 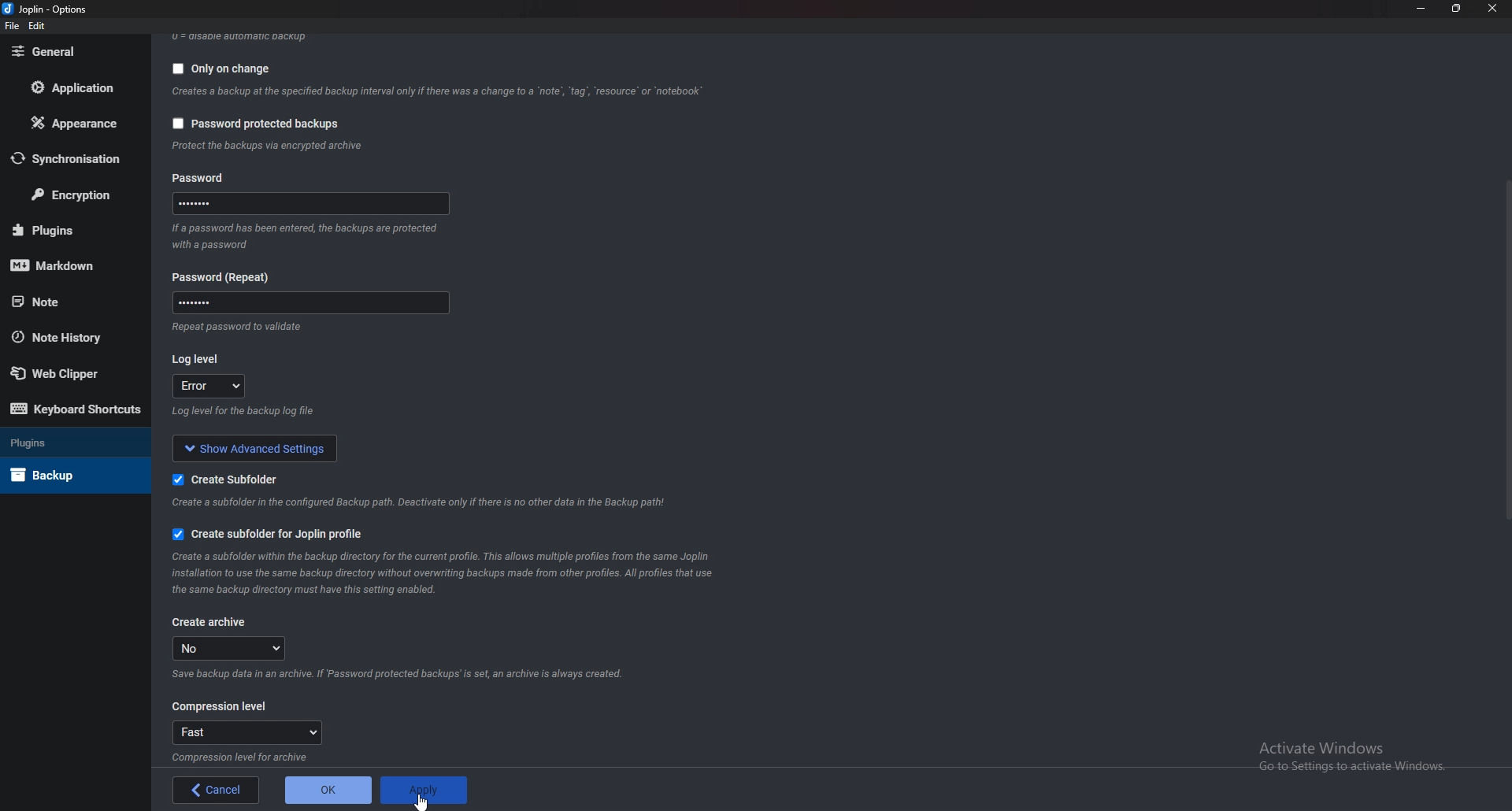 What do you see at coordinates (425, 802) in the screenshot?
I see `Cursor` at bounding box center [425, 802].